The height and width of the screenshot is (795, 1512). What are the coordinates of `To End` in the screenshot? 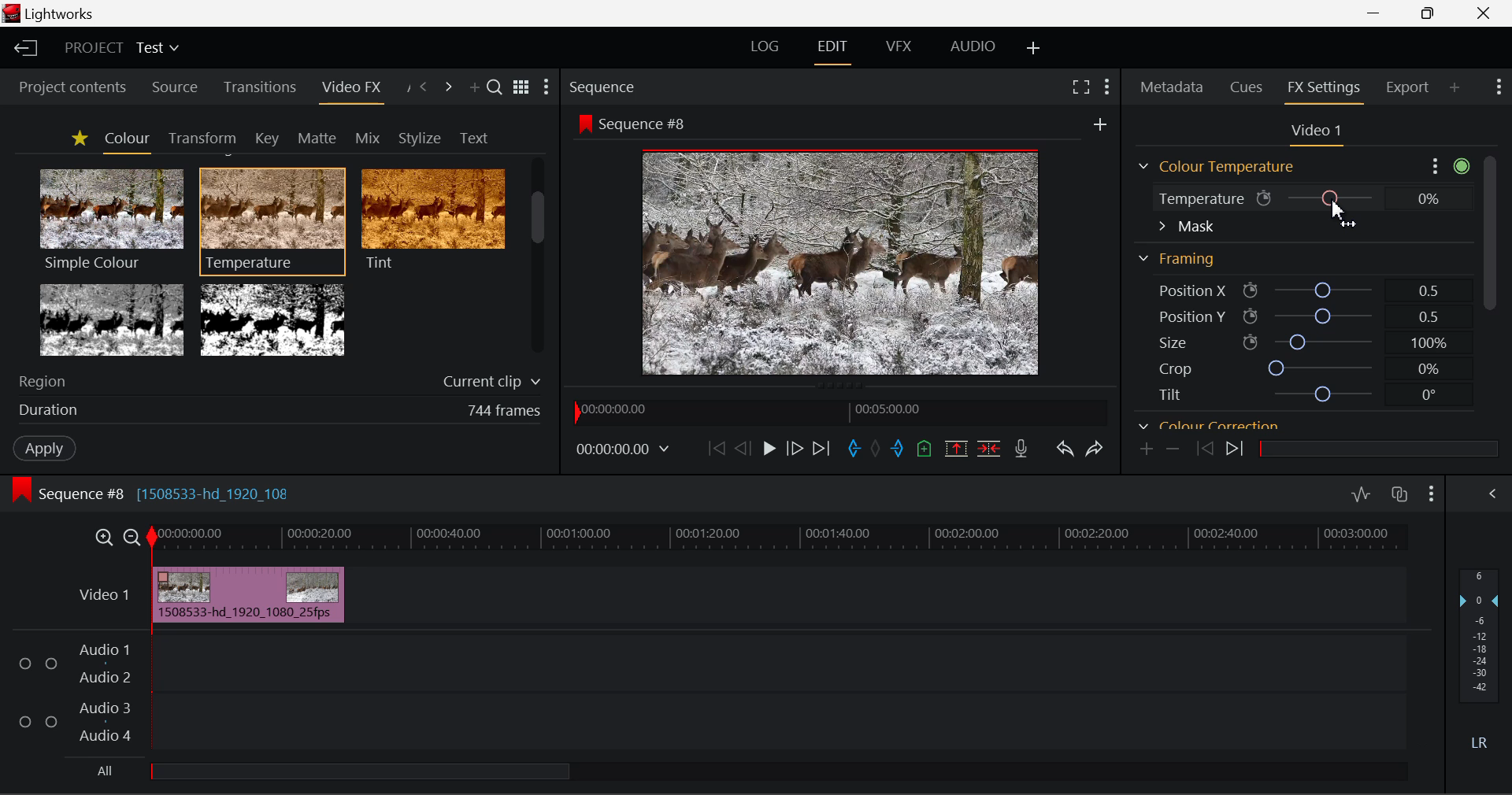 It's located at (825, 449).